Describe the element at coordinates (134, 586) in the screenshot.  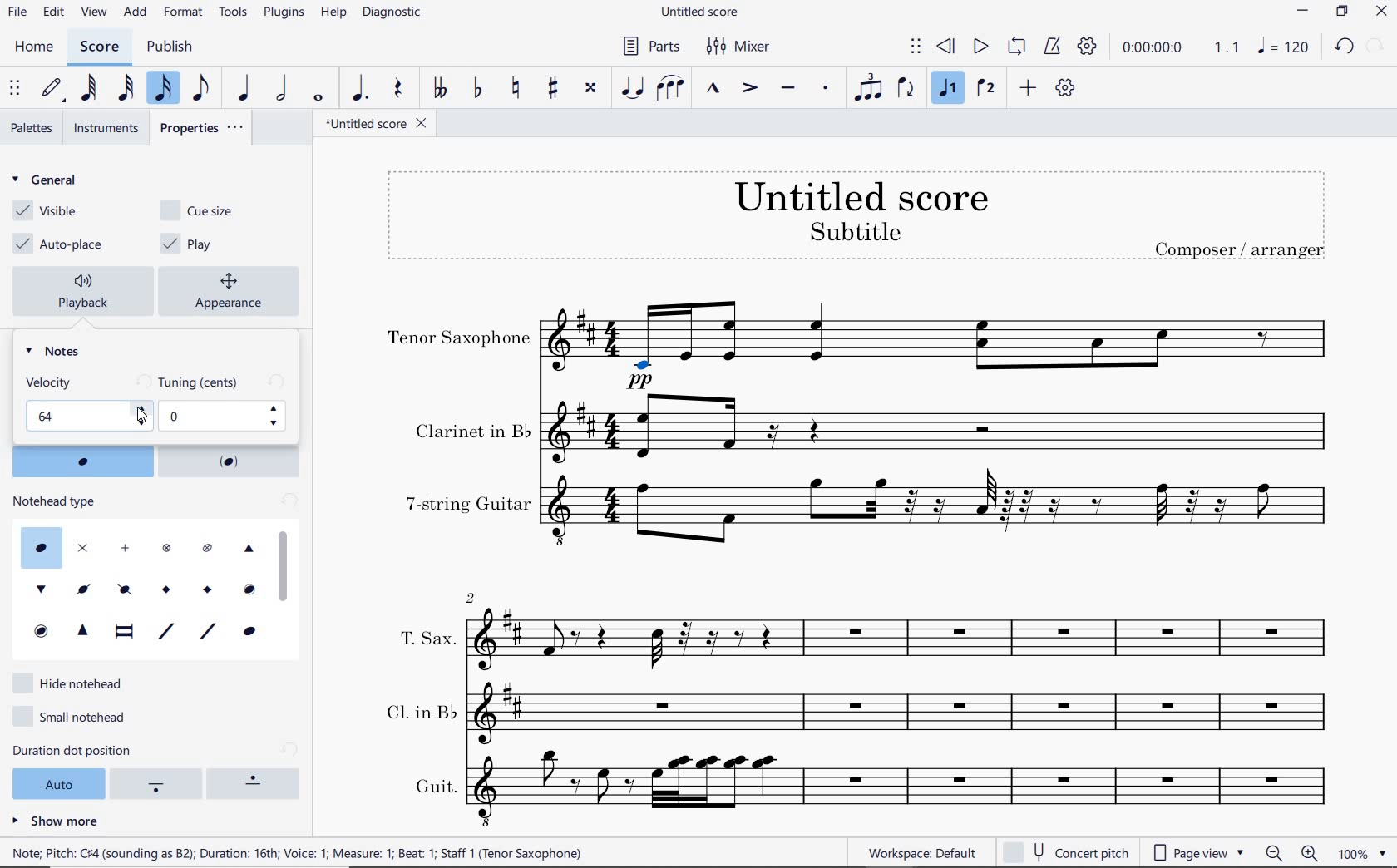
I see `Notehead type` at that location.